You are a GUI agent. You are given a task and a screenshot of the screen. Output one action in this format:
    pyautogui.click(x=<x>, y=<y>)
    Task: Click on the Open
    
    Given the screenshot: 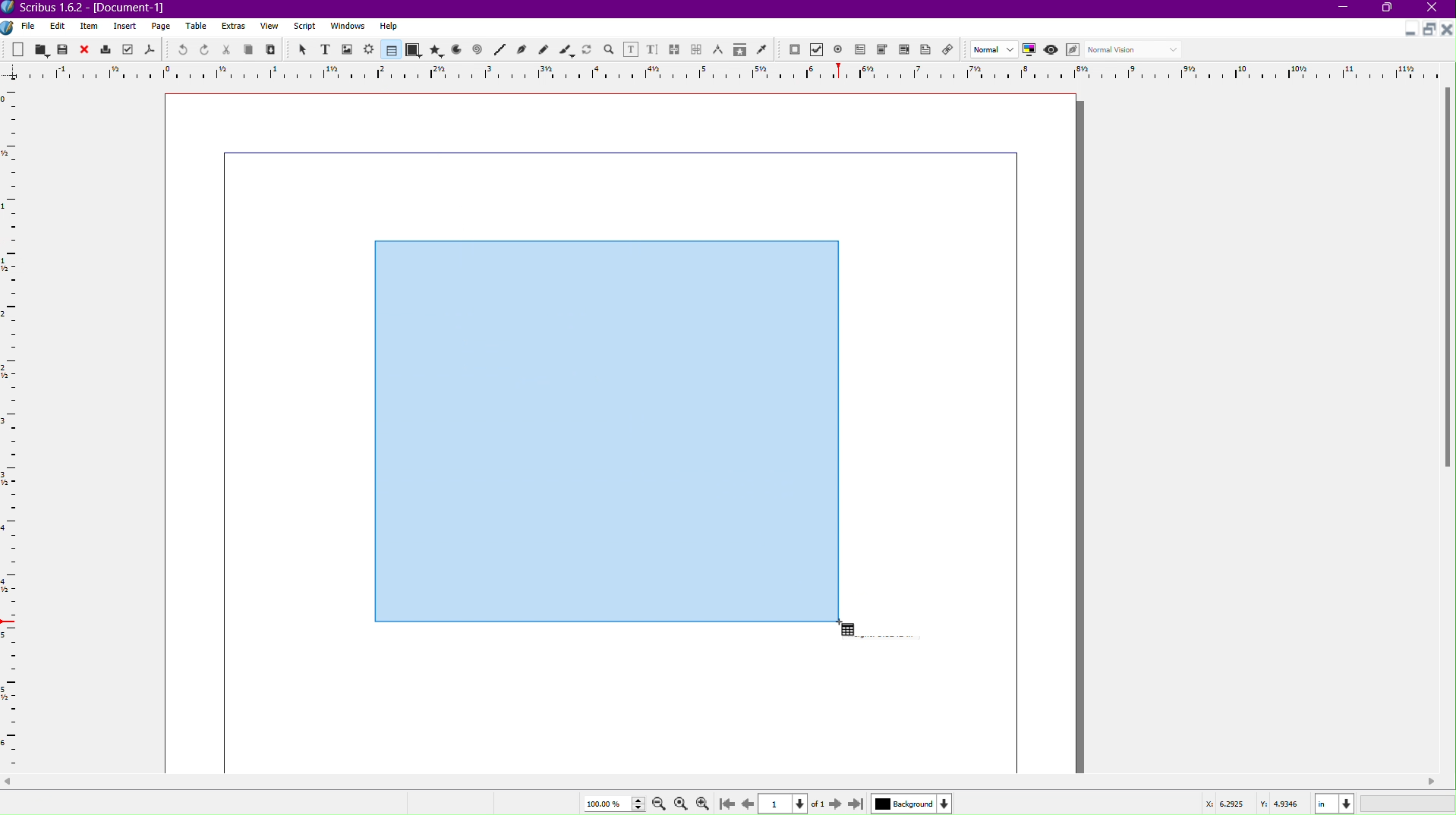 What is the action you would take?
    pyautogui.click(x=41, y=49)
    